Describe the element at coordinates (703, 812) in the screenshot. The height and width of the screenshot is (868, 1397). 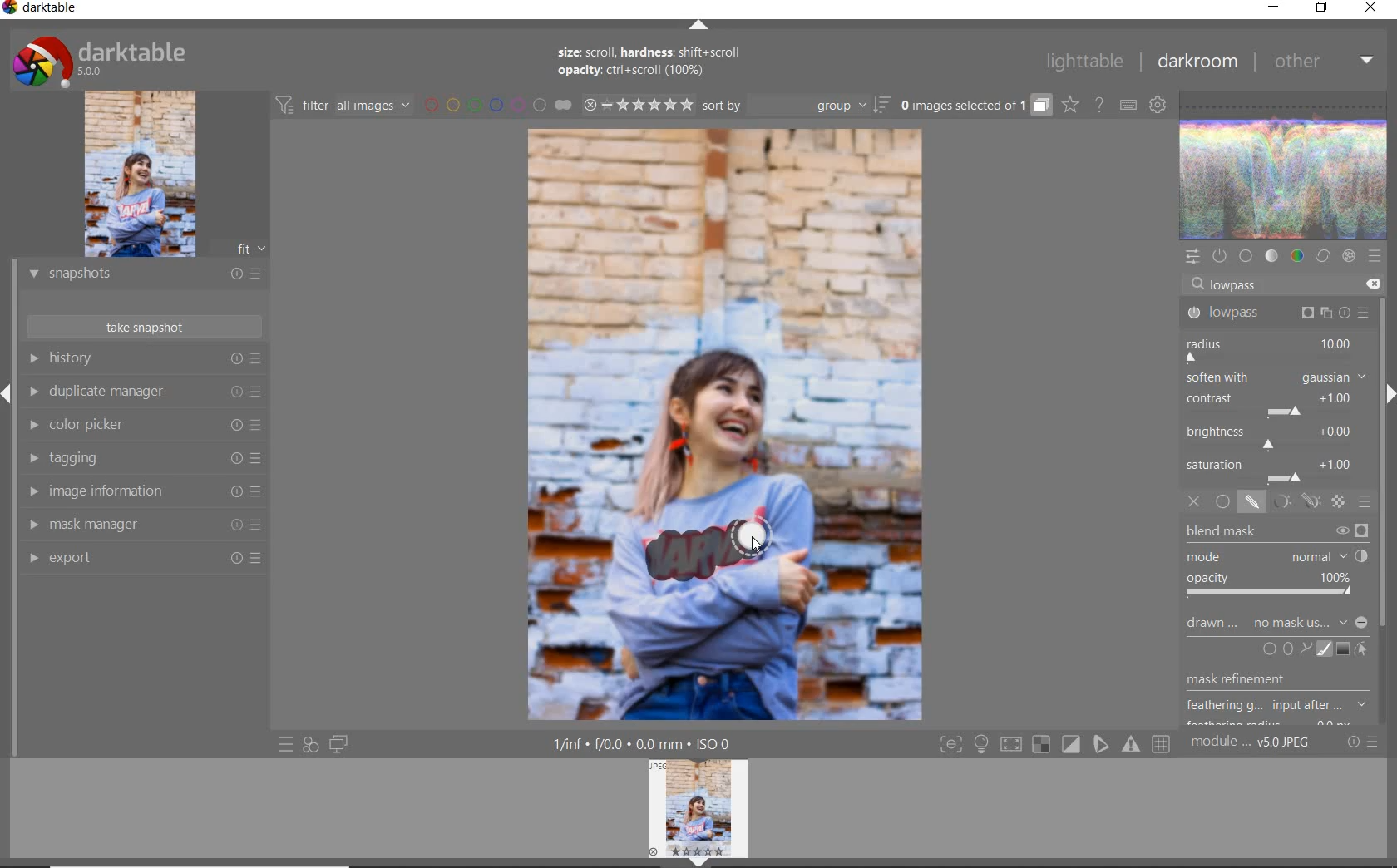
I see `image preview` at that location.